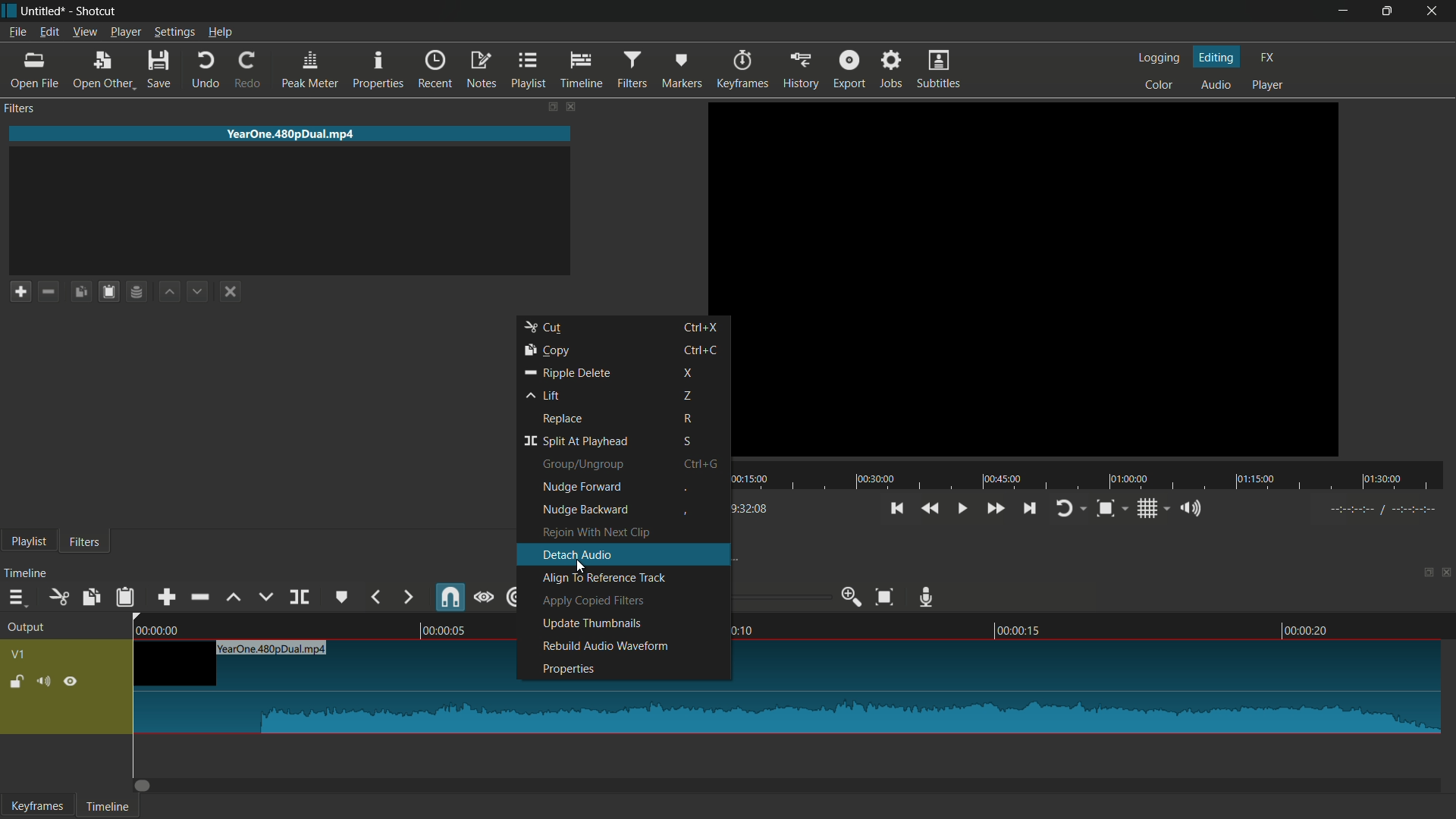 Image resolution: width=1456 pixels, height=819 pixels. What do you see at coordinates (1106, 509) in the screenshot?
I see `toggle zoom` at bounding box center [1106, 509].